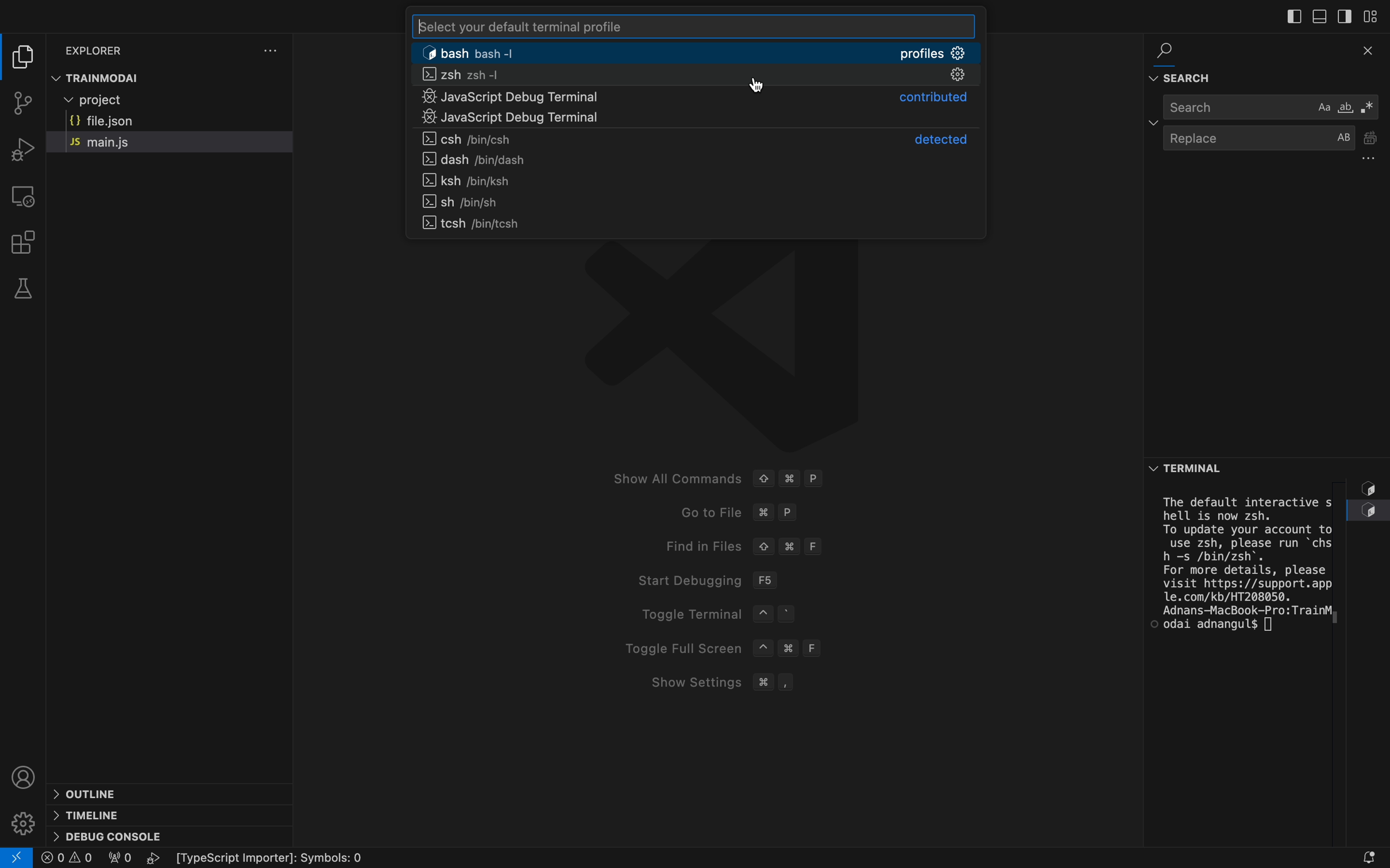 The width and height of the screenshot is (1390, 868). I want to click on SHow Settings, so click(783, 682).